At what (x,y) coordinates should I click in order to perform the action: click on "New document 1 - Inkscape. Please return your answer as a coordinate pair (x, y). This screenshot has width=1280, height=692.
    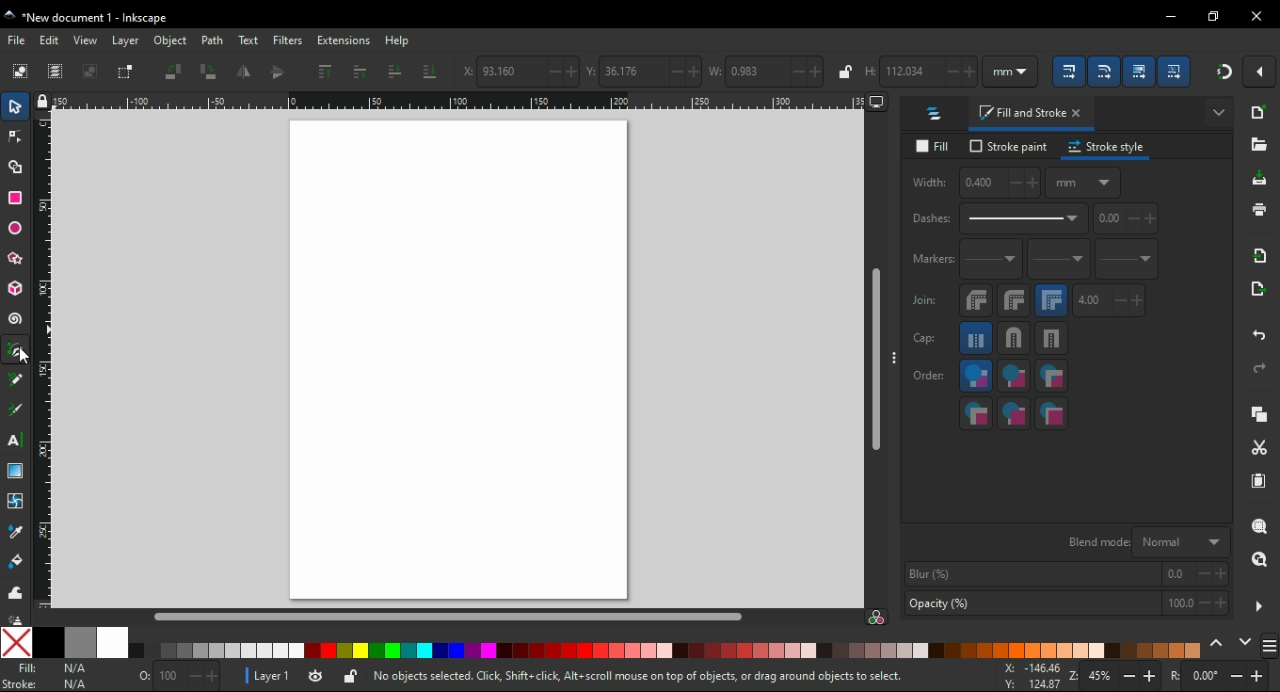
    Looking at the image, I should click on (88, 19).